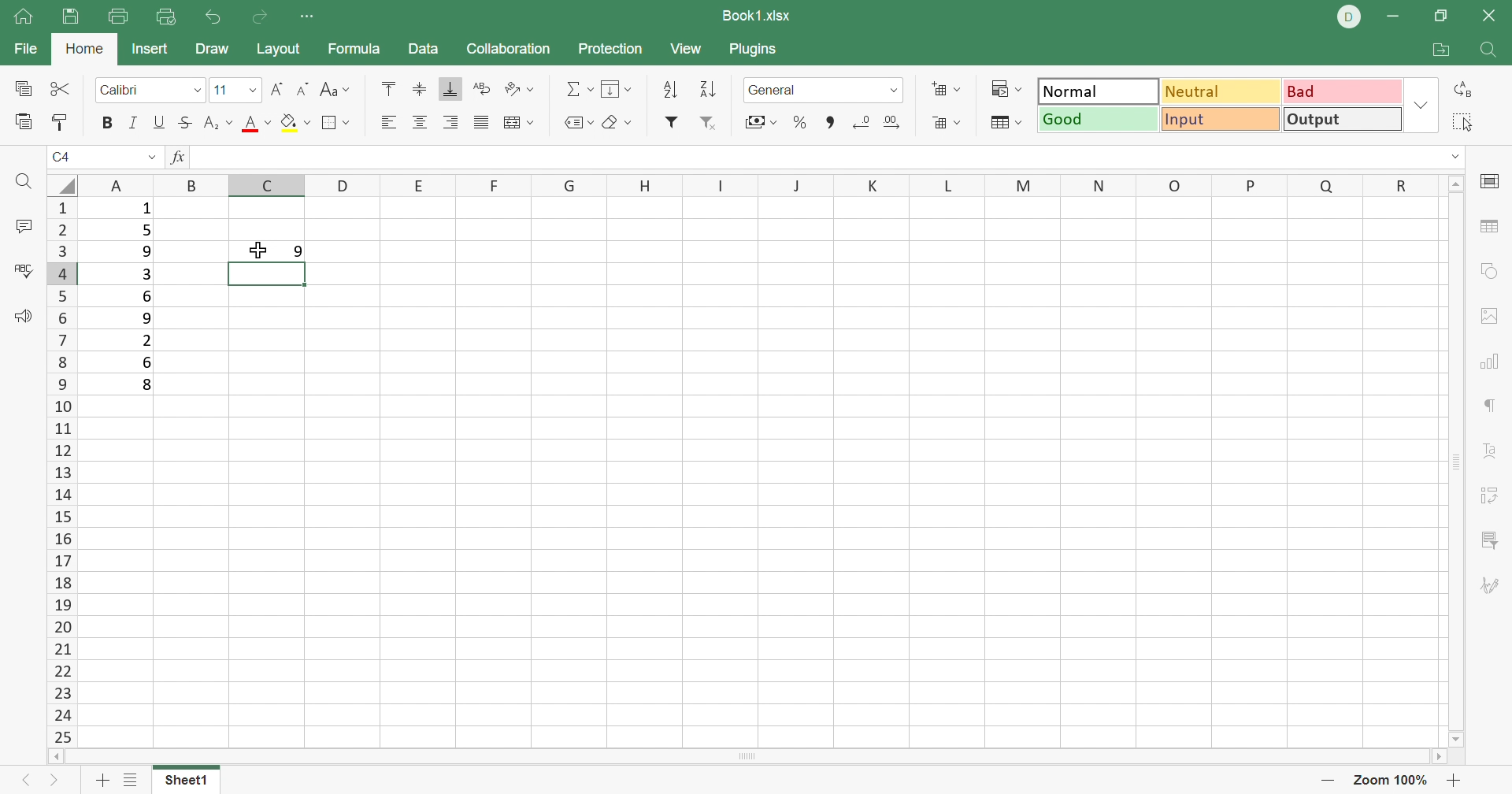 The width and height of the screenshot is (1512, 794). I want to click on Decrease decimal, so click(858, 121).